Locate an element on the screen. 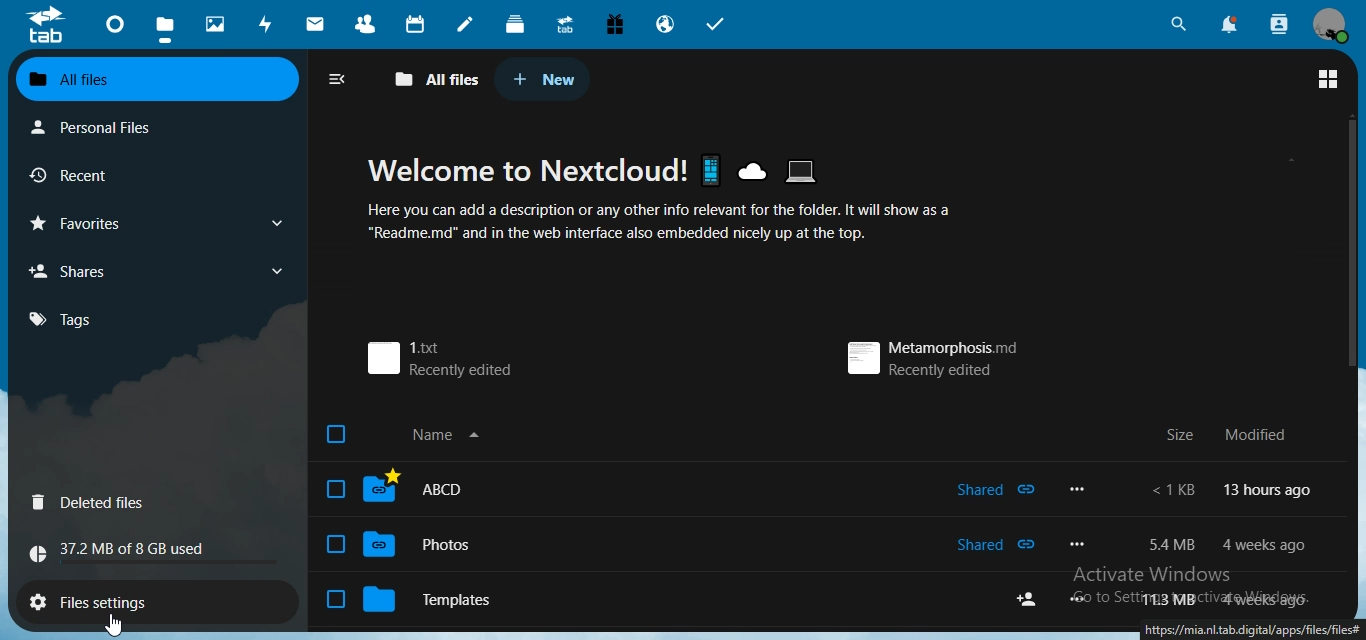 The width and height of the screenshot is (1366, 640). Thttps://mia.nltab.digtal/apps/files/files# is located at coordinates (1250, 630).